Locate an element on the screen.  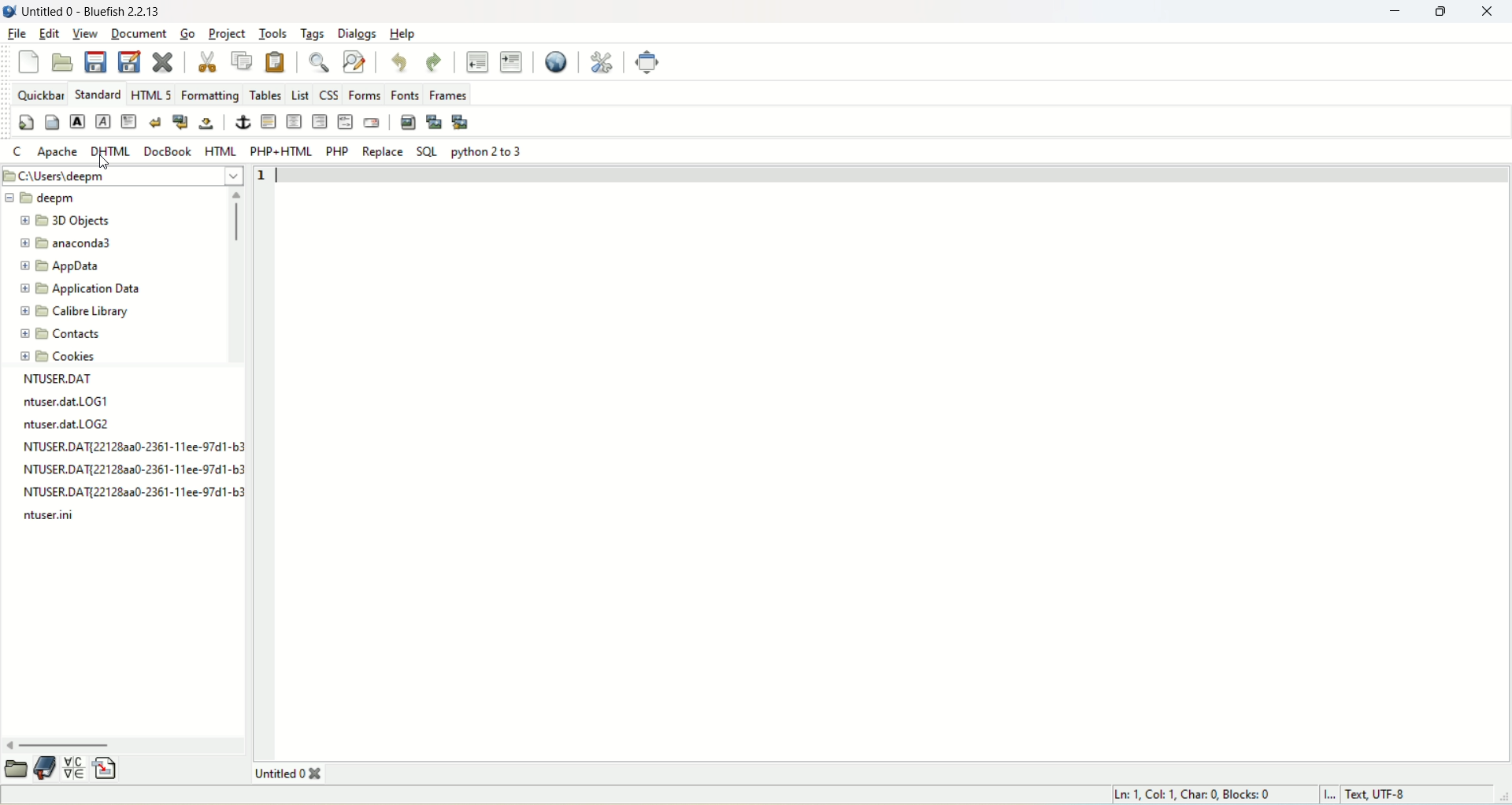
location is located at coordinates (120, 174).